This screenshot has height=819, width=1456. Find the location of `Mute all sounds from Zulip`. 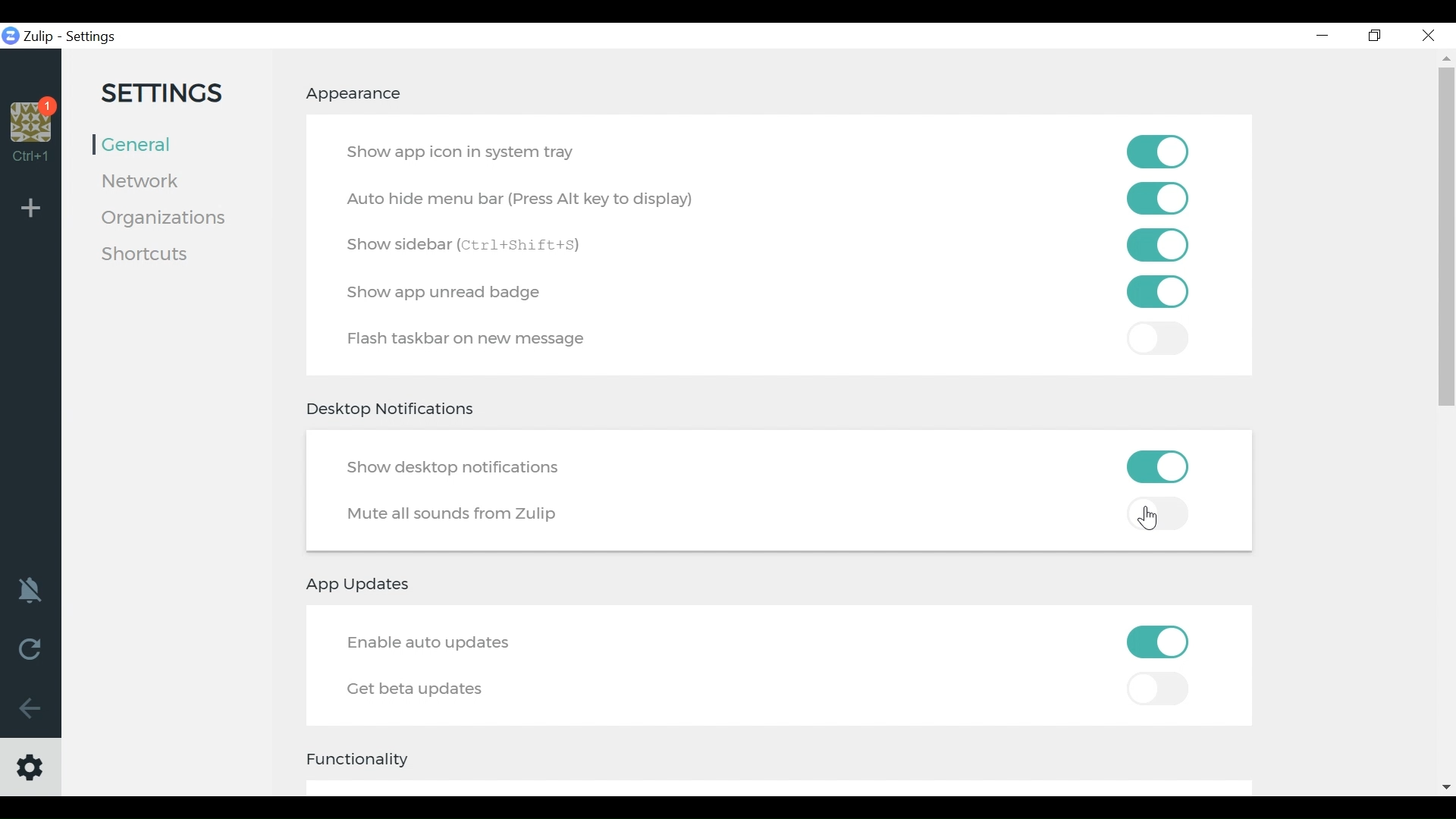

Mute all sounds from Zulip is located at coordinates (456, 516).